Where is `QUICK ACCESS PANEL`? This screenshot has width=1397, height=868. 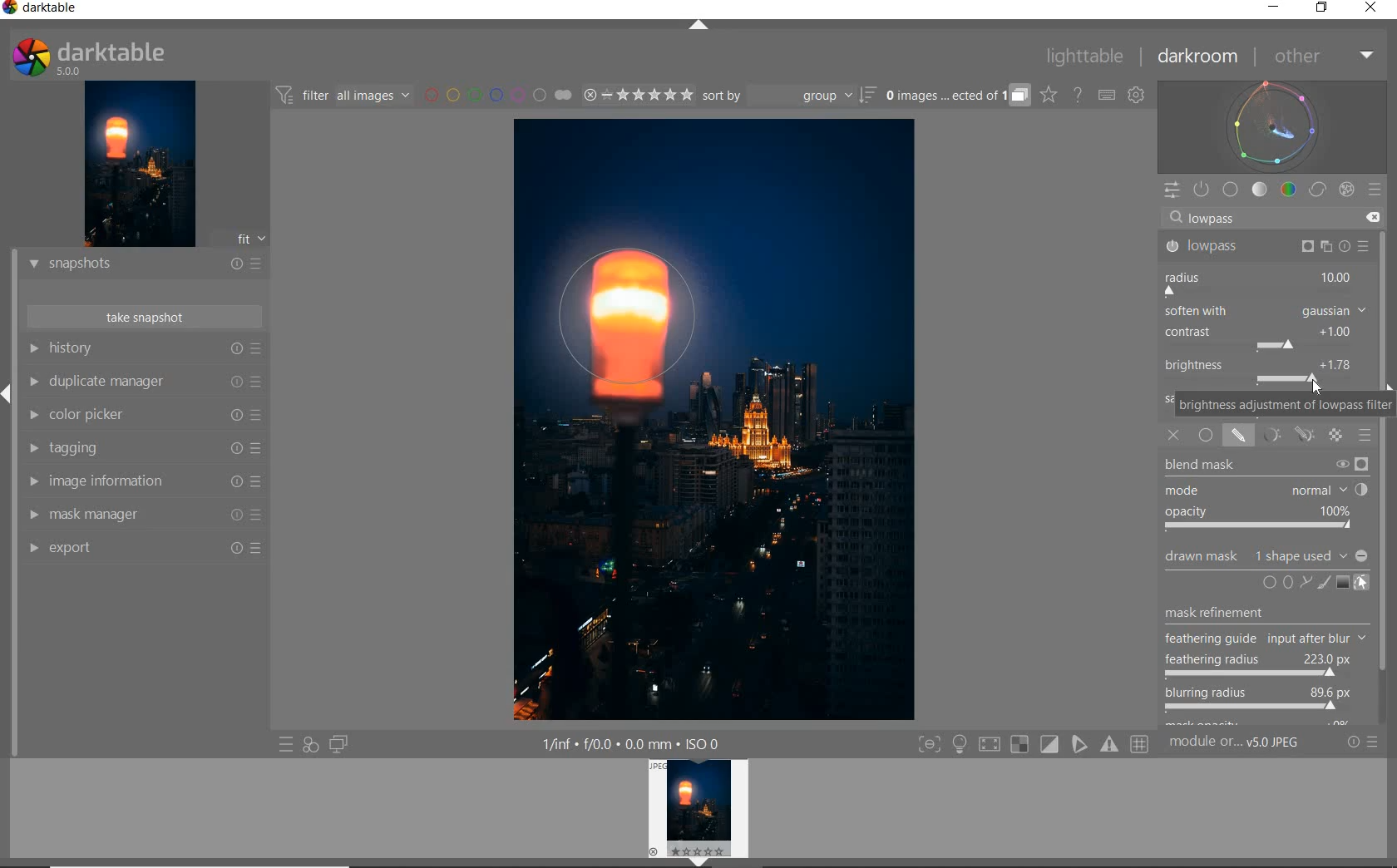 QUICK ACCESS PANEL is located at coordinates (1172, 187).